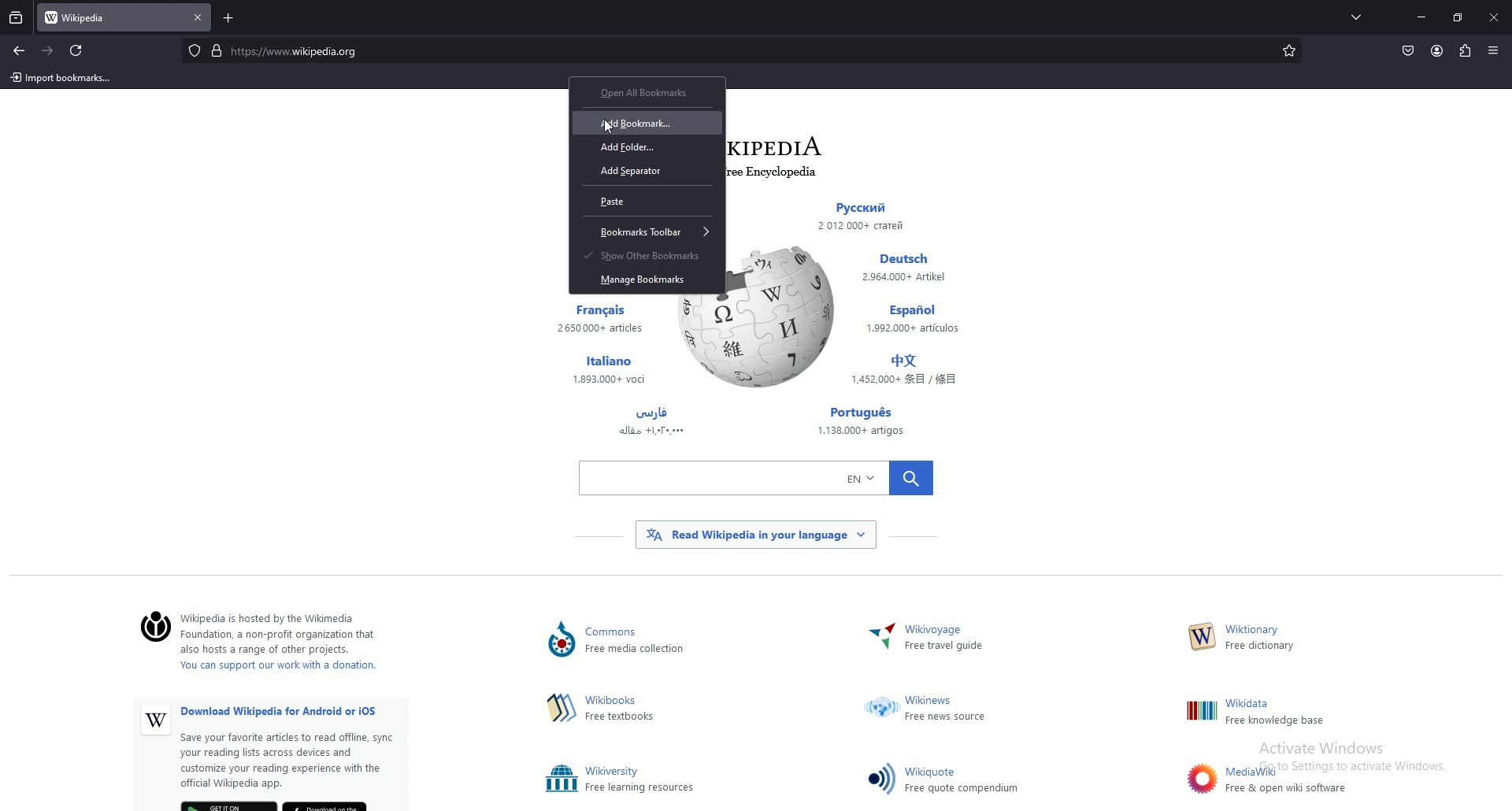  I want to click on , so click(156, 722).